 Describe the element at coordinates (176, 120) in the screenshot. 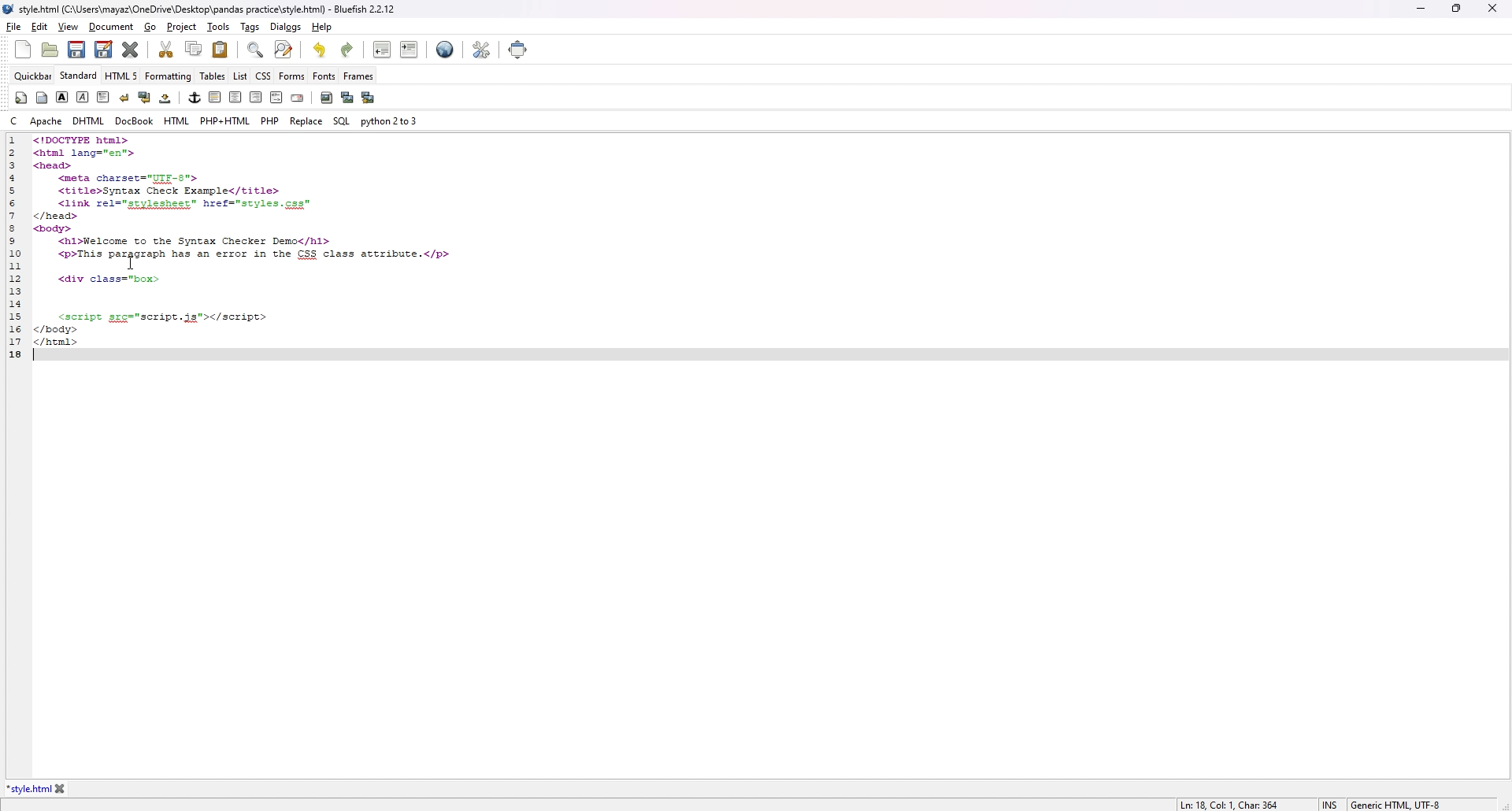

I see `html` at that location.